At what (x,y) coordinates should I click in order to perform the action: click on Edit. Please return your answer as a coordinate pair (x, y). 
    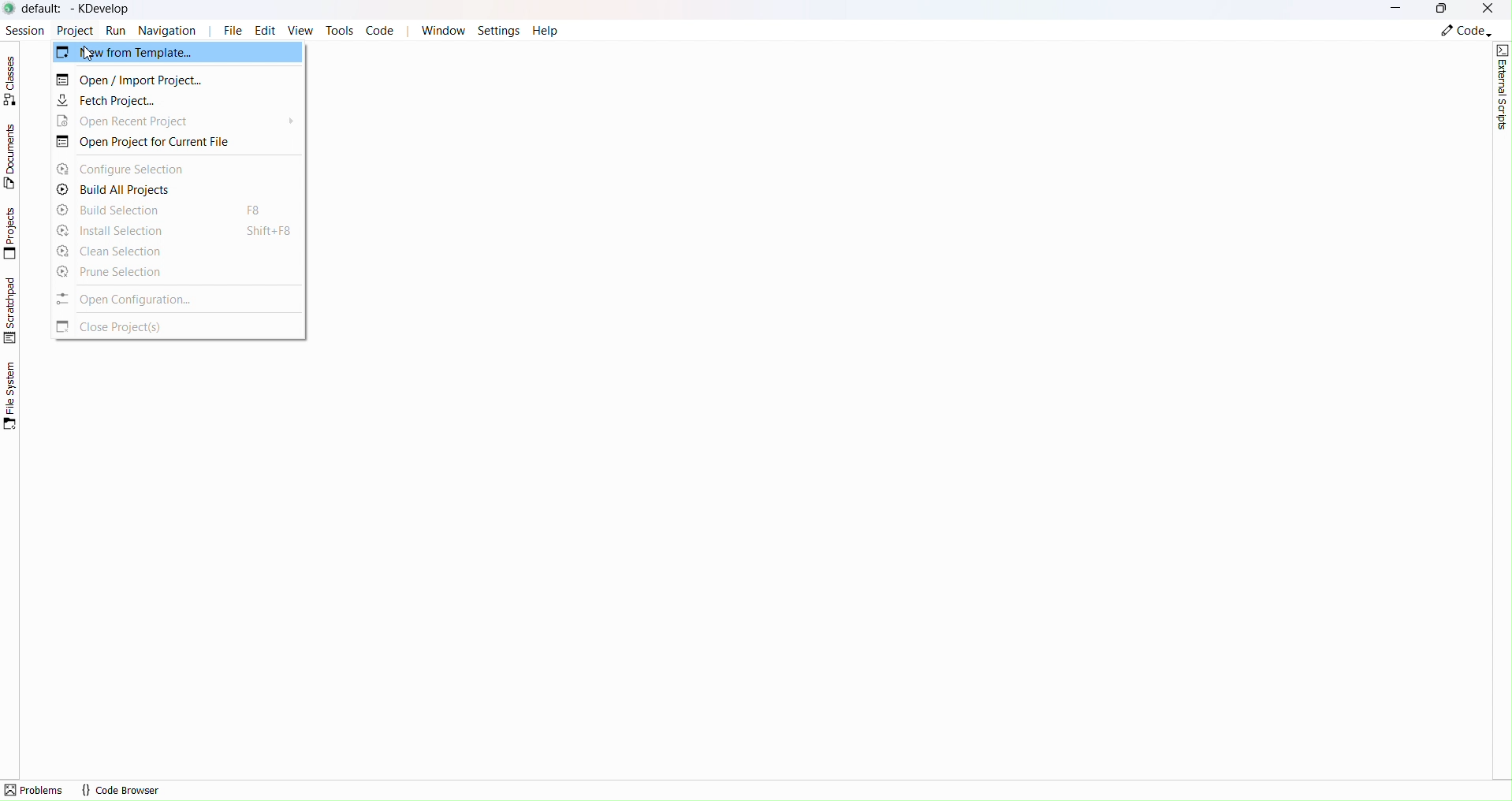
    Looking at the image, I should click on (269, 31).